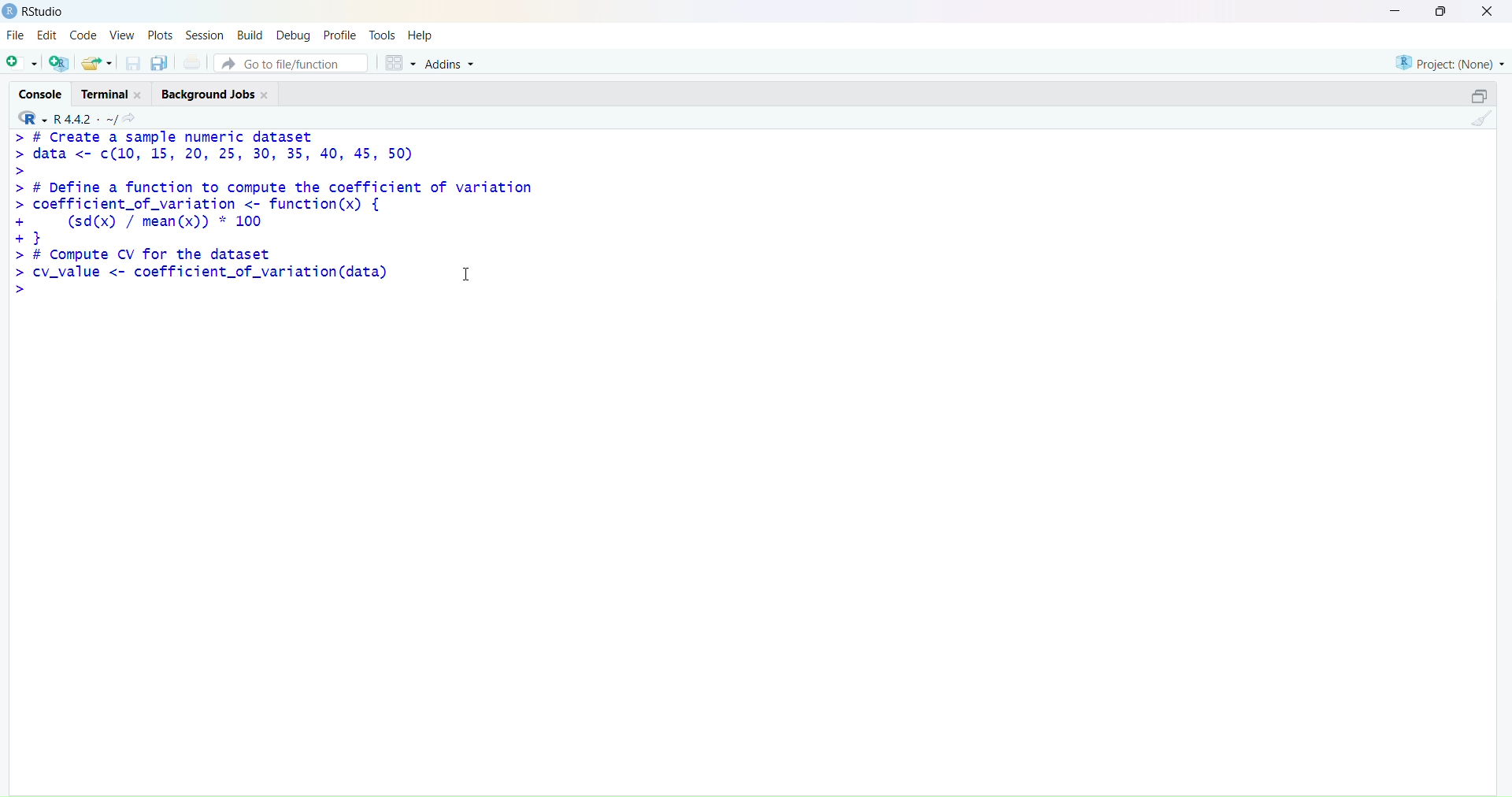 The width and height of the screenshot is (1512, 797). Describe the element at coordinates (451, 65) in the screenshot. I see `Addins` at that location.